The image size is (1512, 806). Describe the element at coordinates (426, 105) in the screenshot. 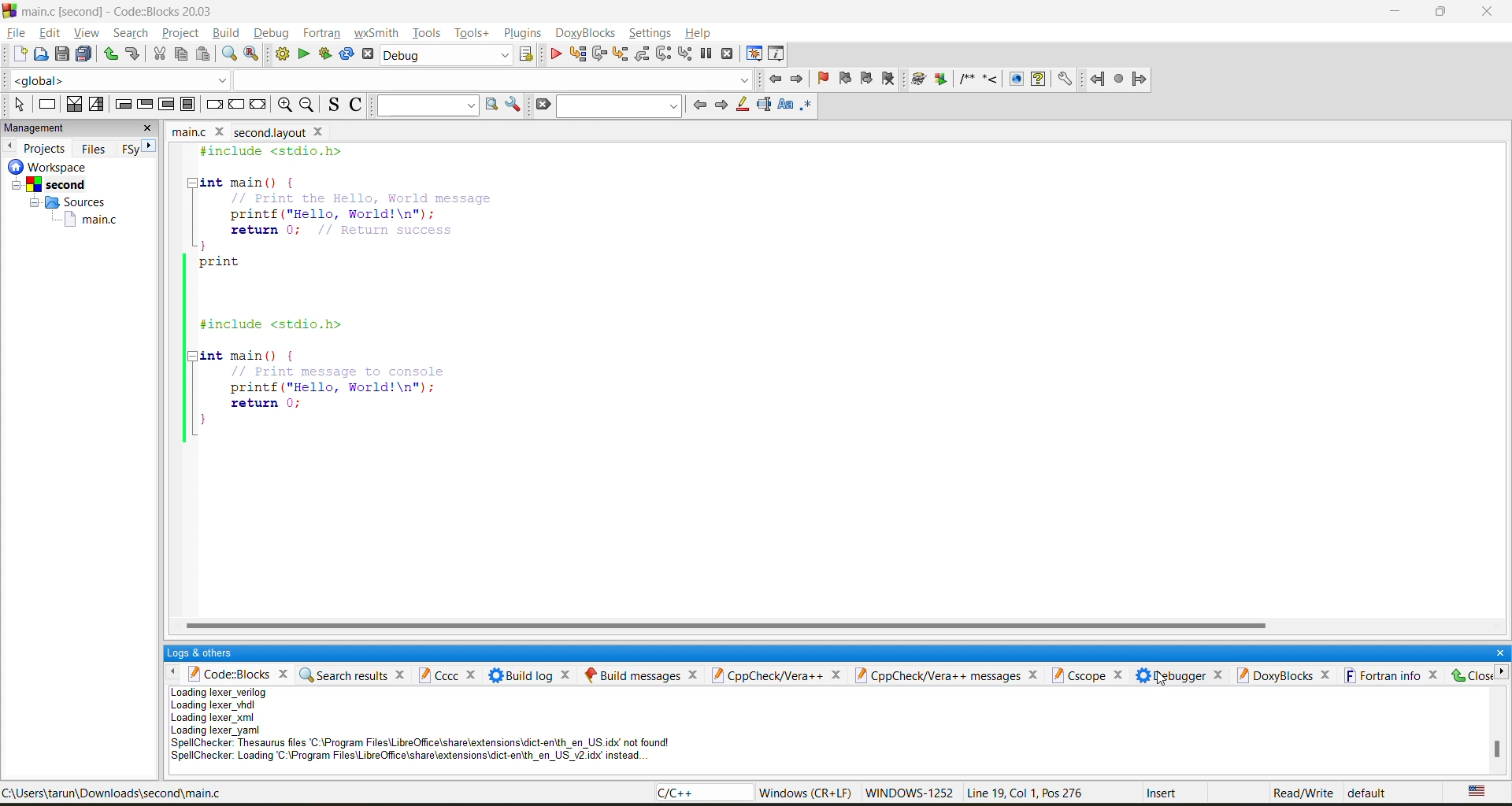

I see `text to search` at that location.